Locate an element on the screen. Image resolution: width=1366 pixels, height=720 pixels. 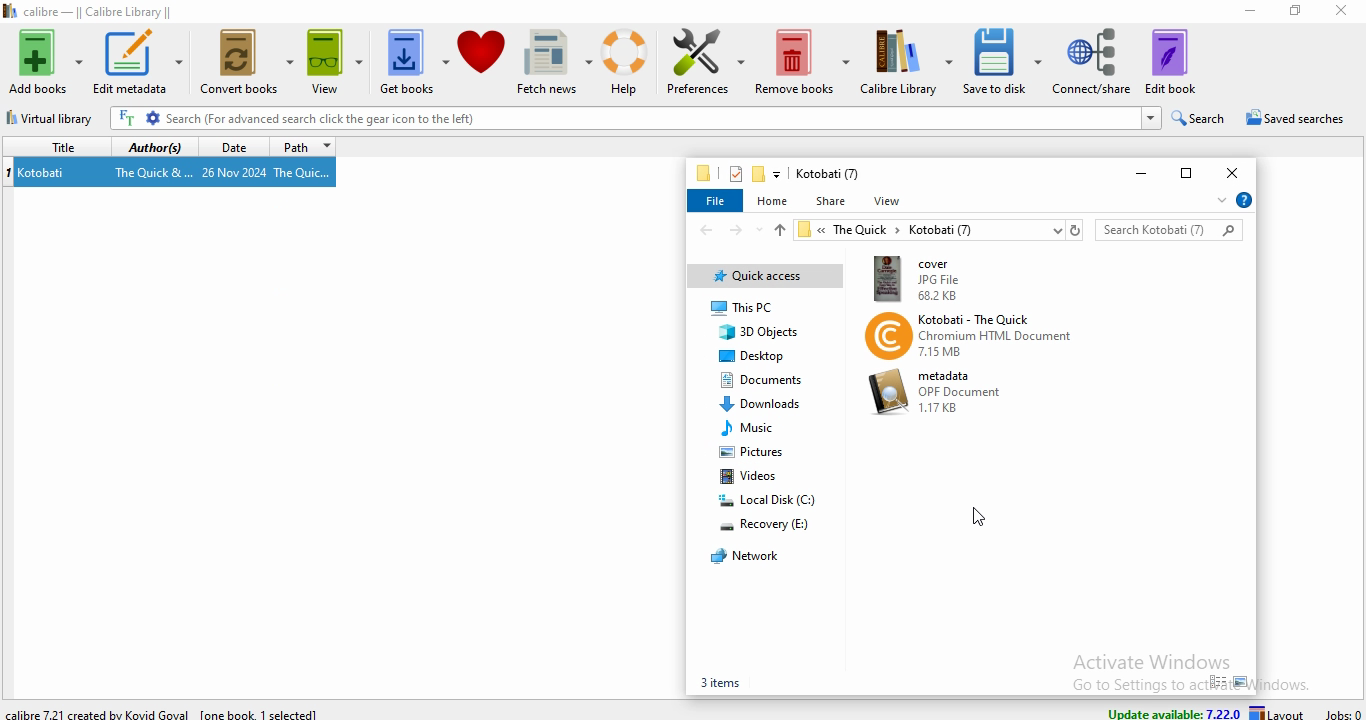
connect/share is located at coordinates (1092, 61).